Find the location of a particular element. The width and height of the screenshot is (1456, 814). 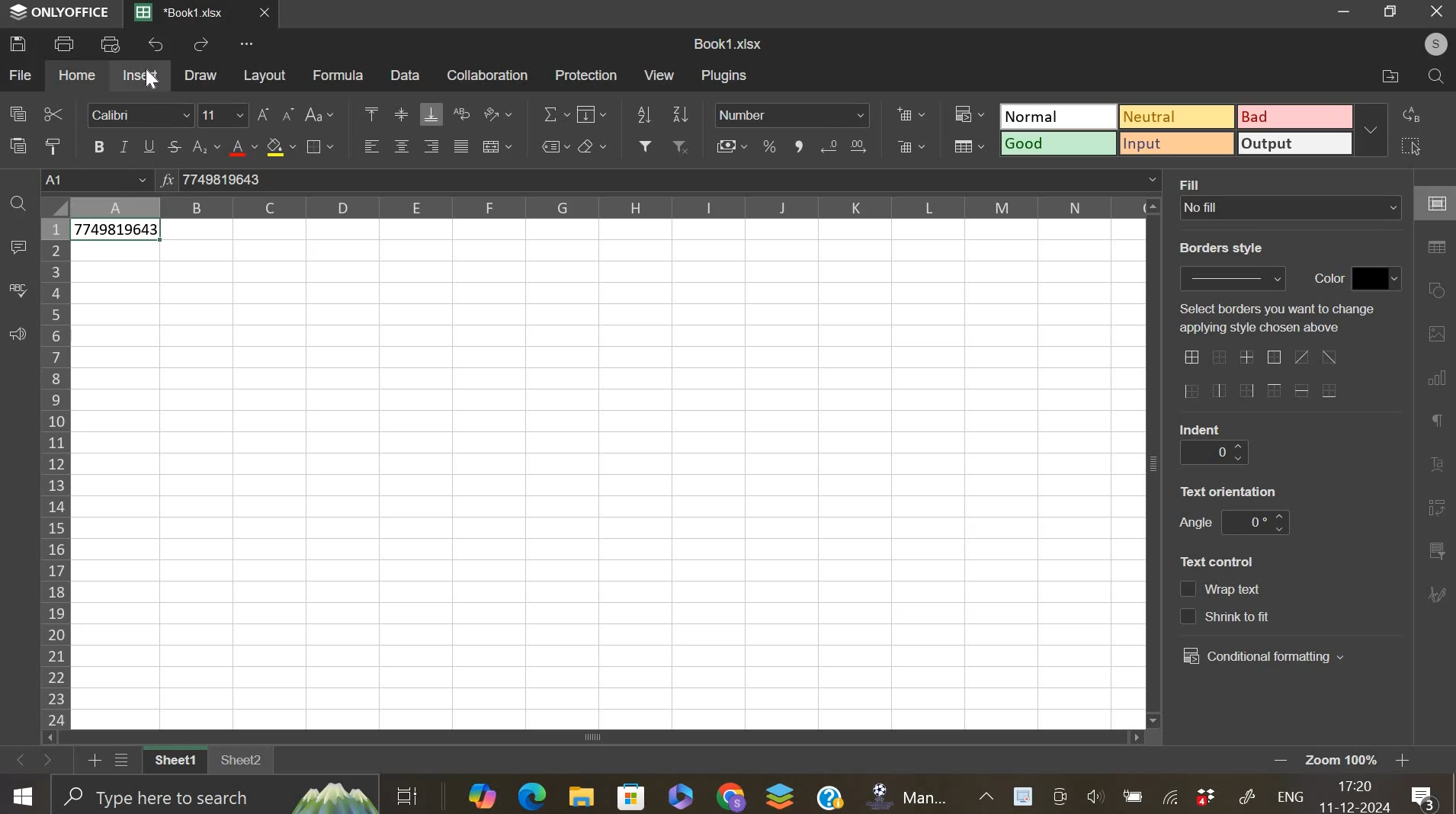

Close is located at coordinates (1437, 12).